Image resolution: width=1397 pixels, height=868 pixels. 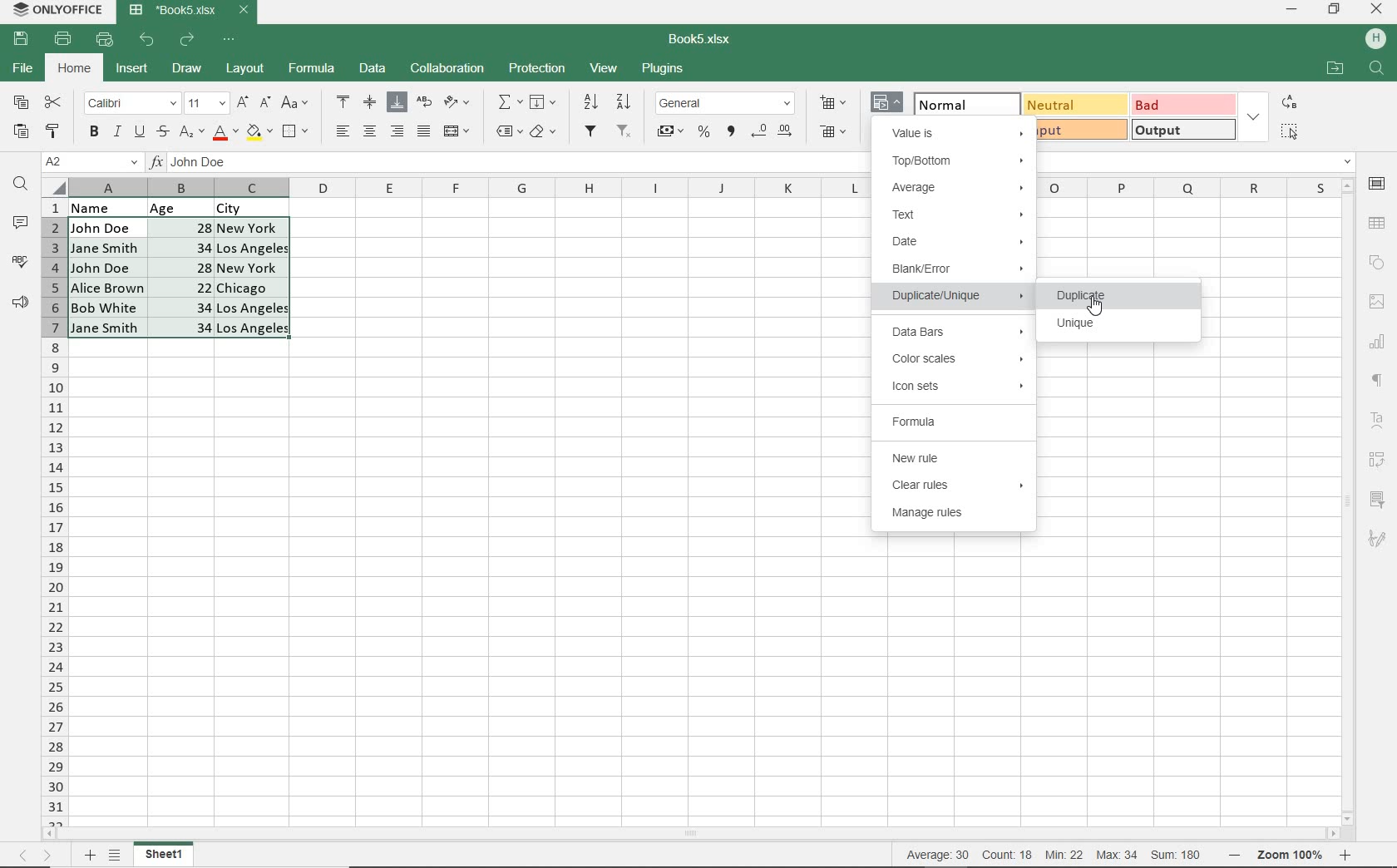 What do you see at coordinates (341, 132) in the screenshot?
I see `ALIGN LEFT` at bounding box center [341, 132].